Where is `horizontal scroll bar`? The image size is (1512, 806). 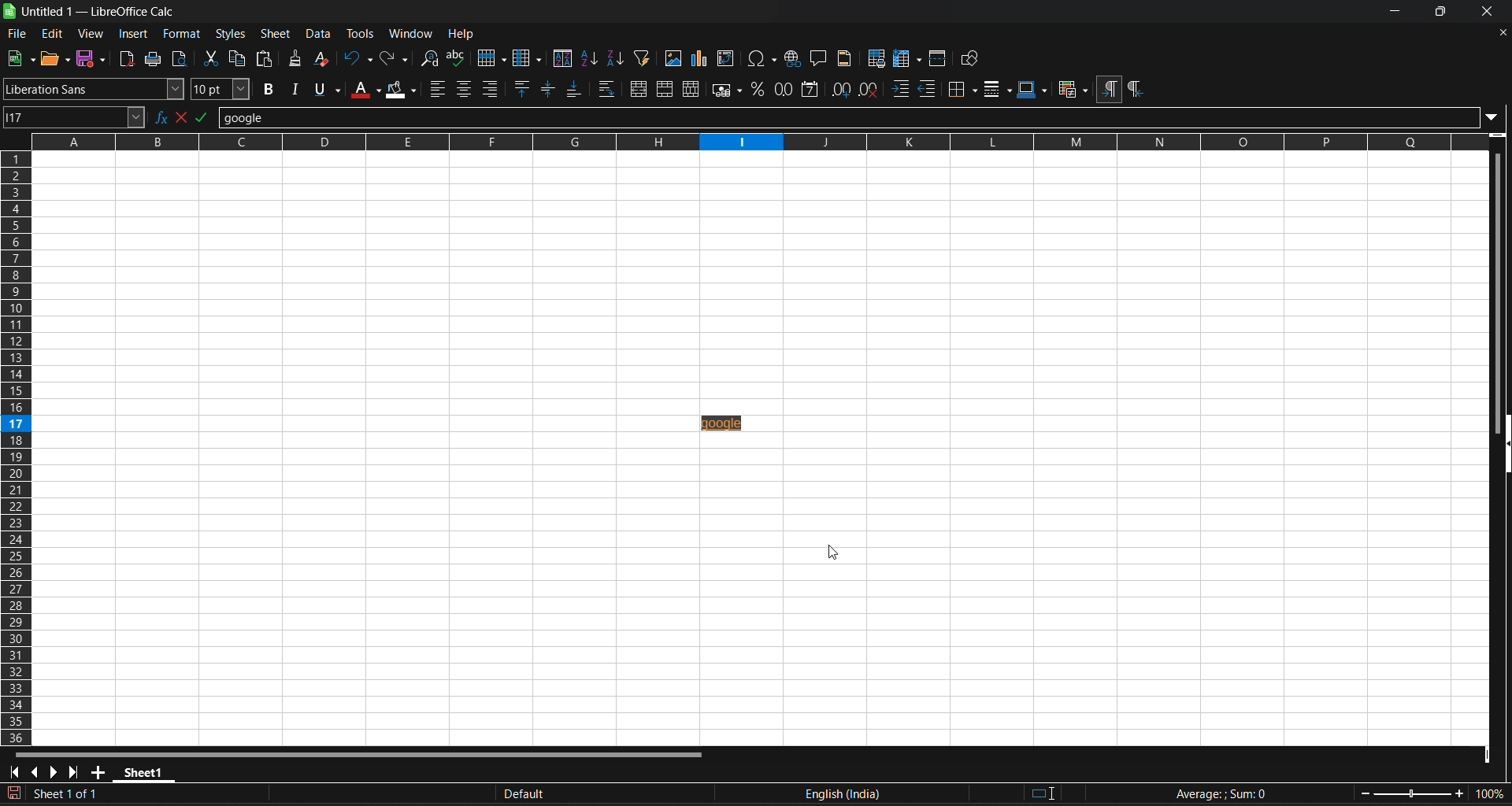
horizontal scroll bar is located at coordinates (370, 753).